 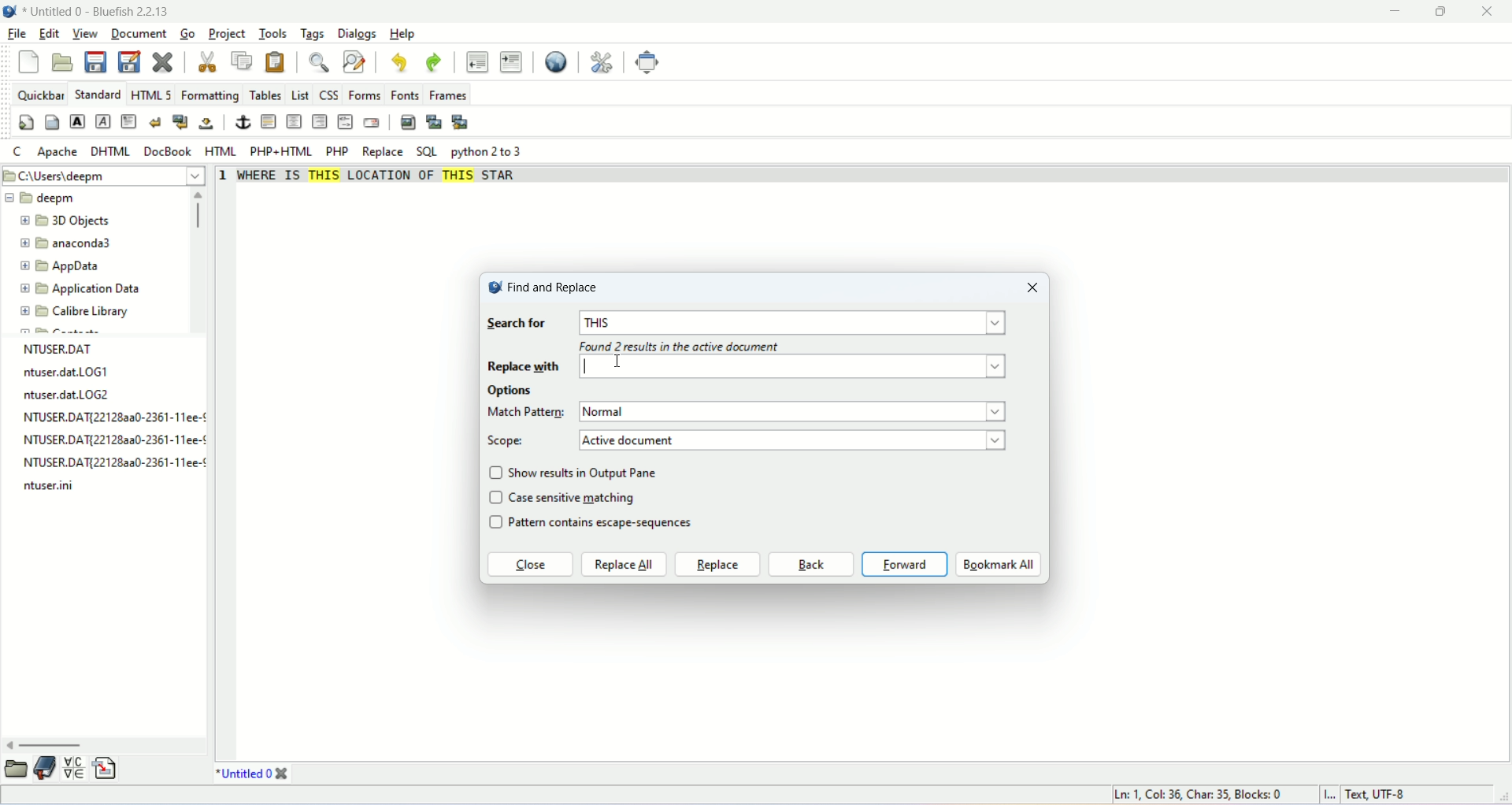 I want to click on multi thumbnail, so click(x=461, y=122).